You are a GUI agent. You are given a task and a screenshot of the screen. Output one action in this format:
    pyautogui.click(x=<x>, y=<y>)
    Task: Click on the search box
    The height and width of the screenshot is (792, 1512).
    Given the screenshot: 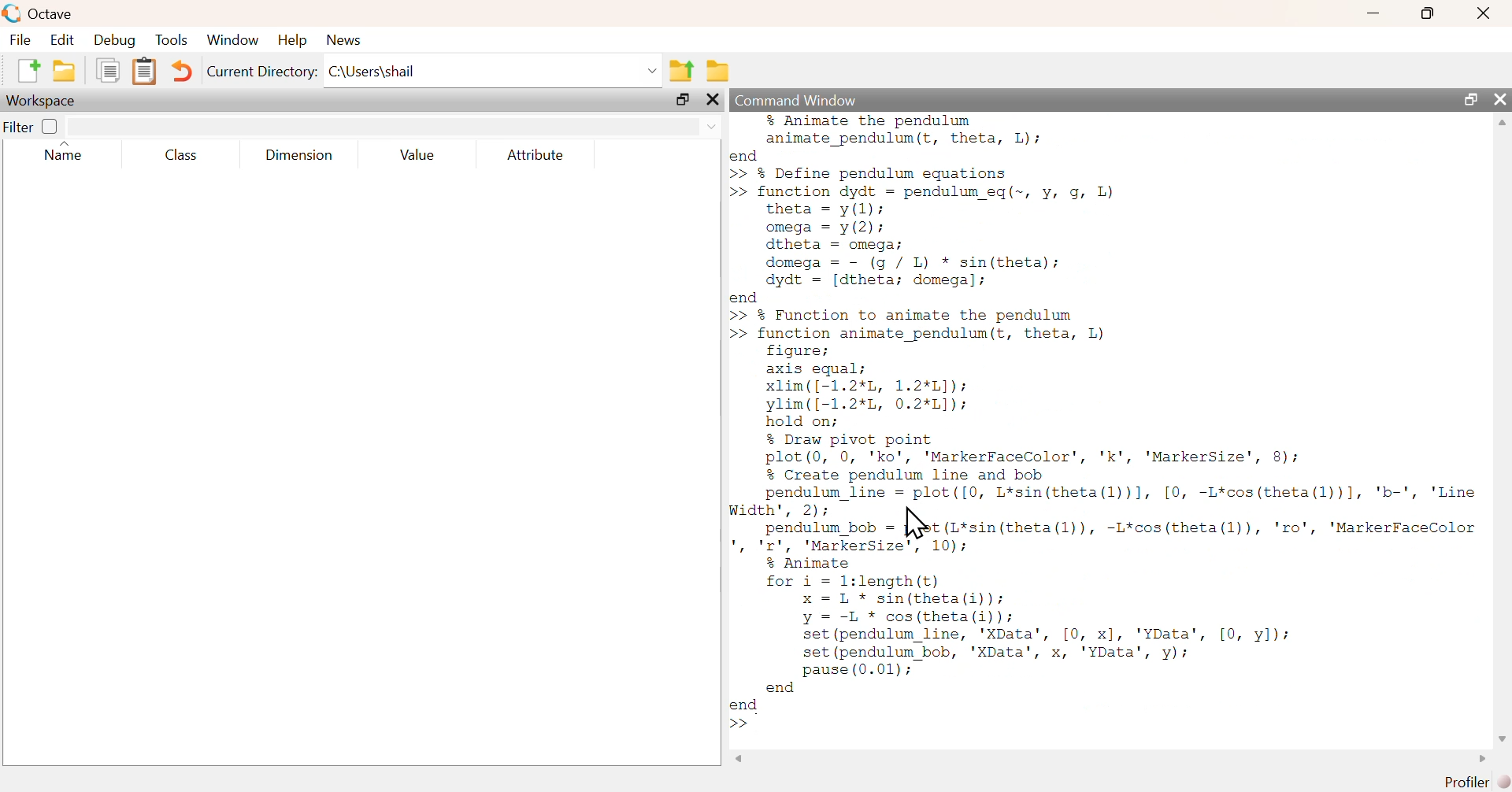 What is the action you would take?
    pyautogui.click(x=377, y=127)
    